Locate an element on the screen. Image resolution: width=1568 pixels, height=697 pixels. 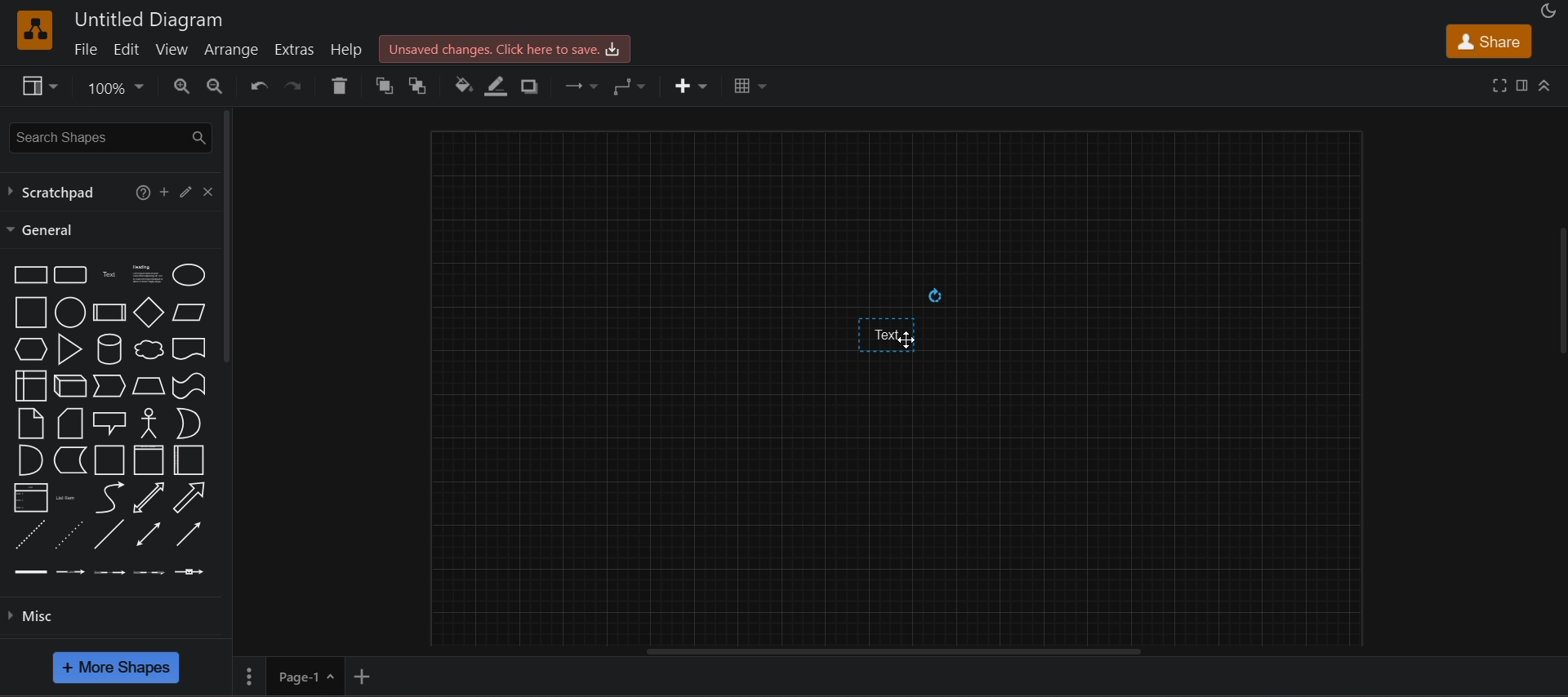
Step is located at coordinates (109, 386).